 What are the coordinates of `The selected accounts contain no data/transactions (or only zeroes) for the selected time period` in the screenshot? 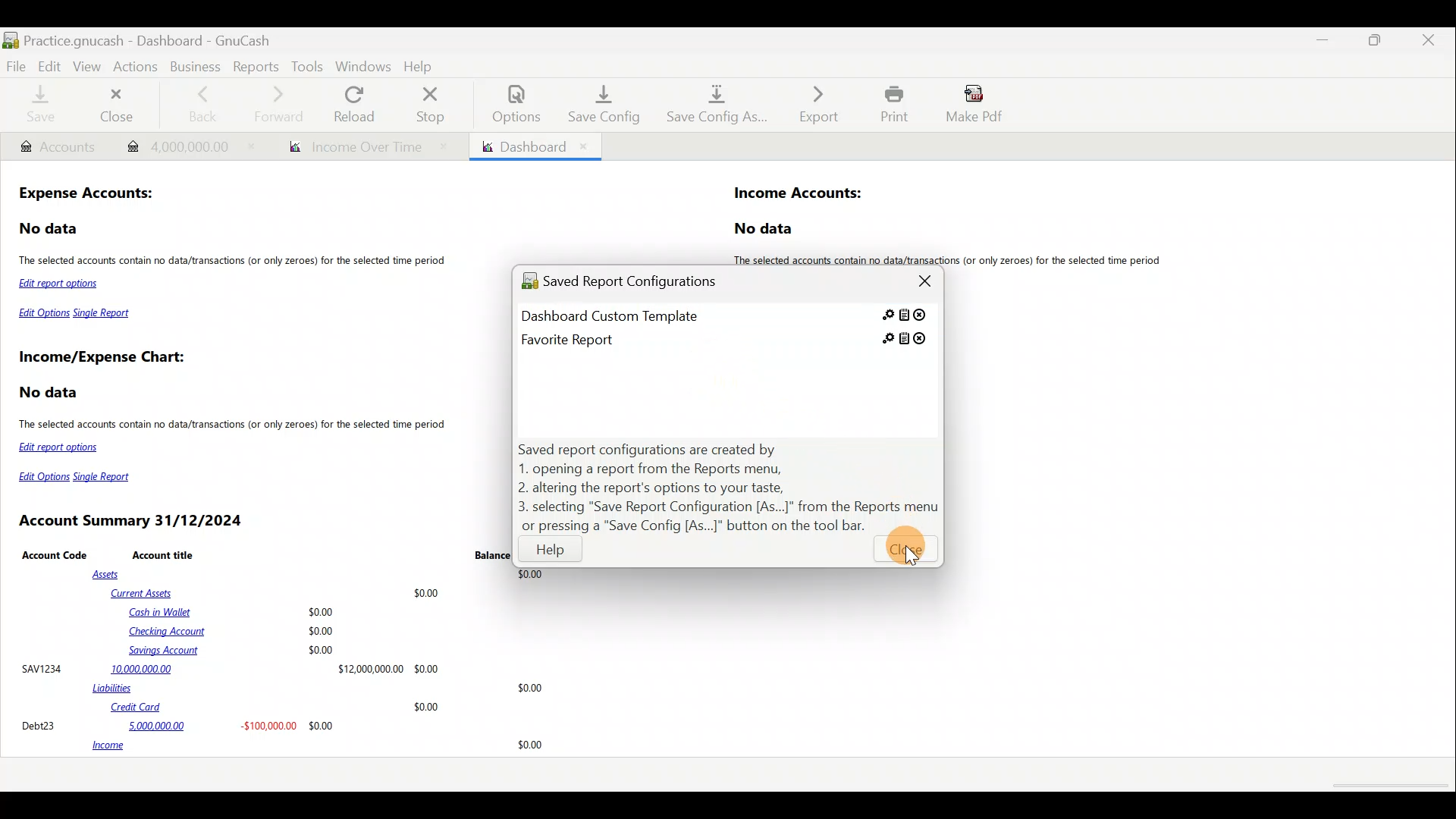 It's located at (235, 262).